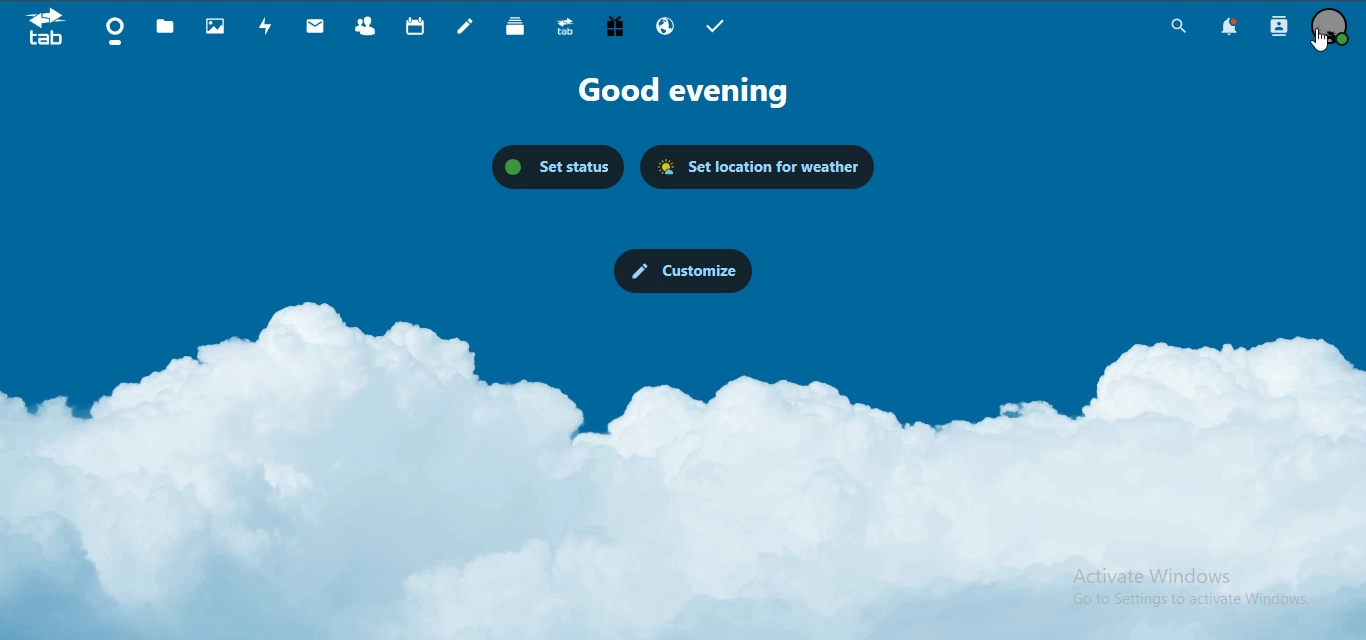  Describe the element at coordinates (683, 94) in the screenshot. I see `Good Evening` at that location.